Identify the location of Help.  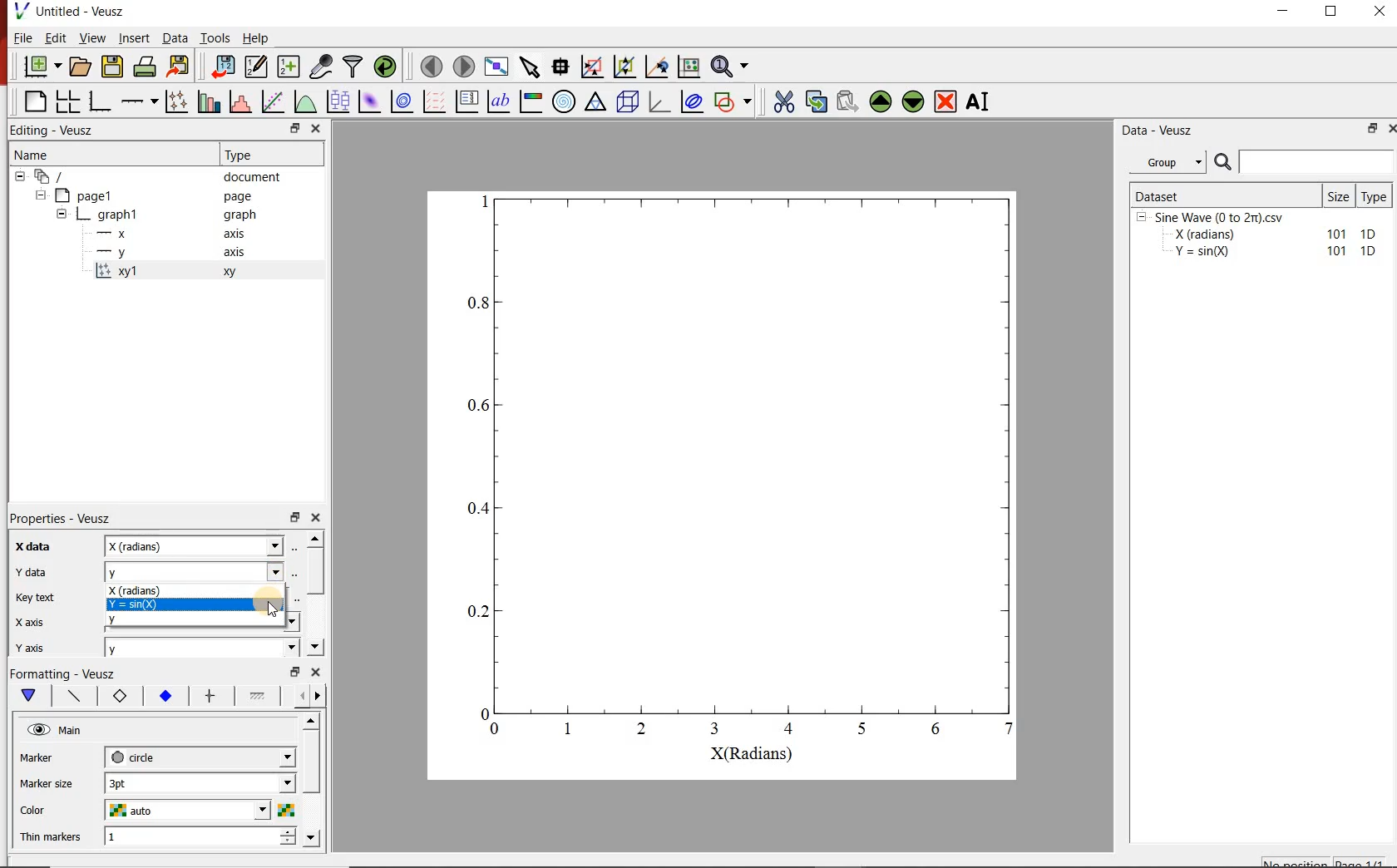
(255, 38).